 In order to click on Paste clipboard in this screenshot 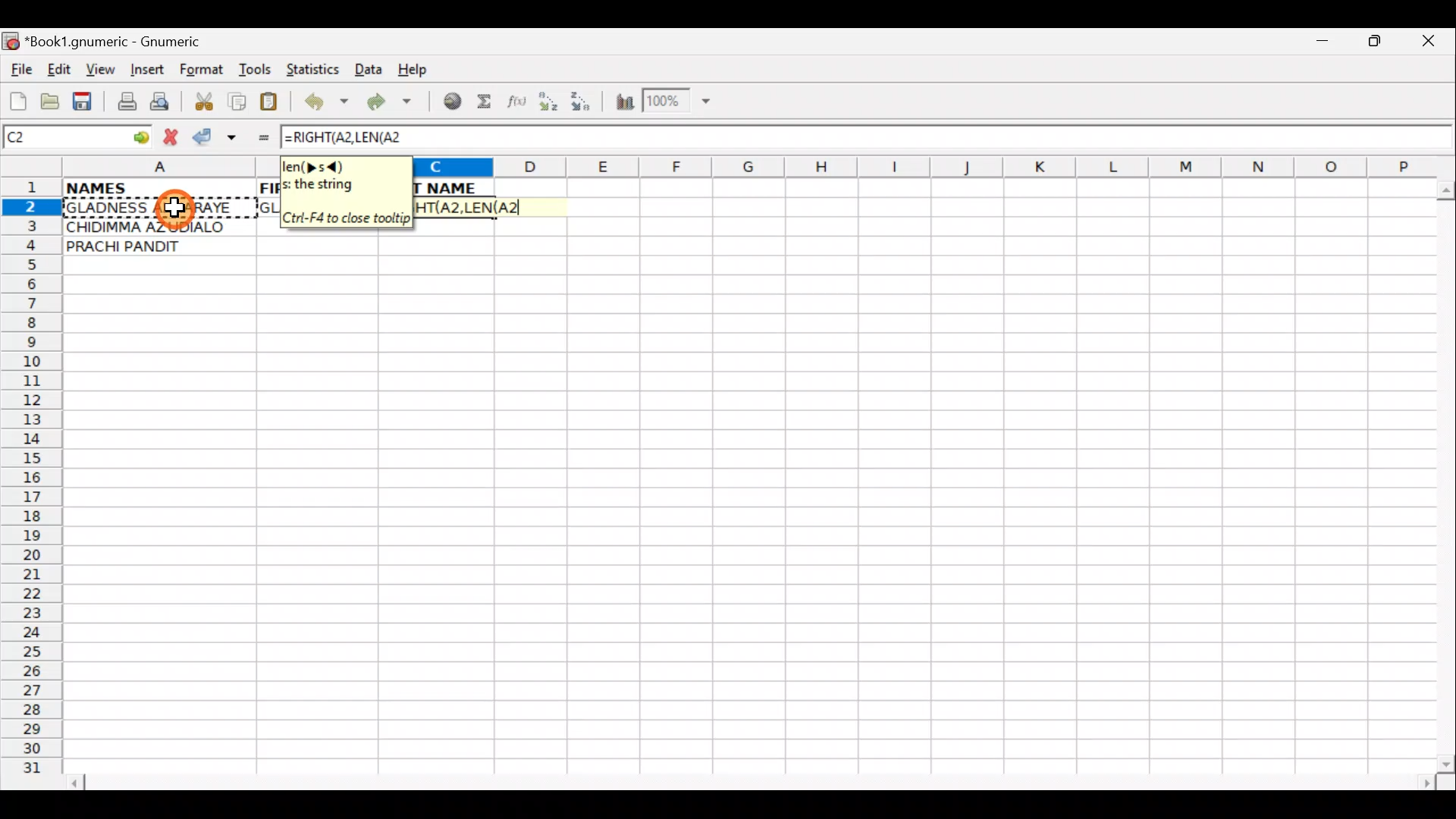, I will do `click(274, 104)`.